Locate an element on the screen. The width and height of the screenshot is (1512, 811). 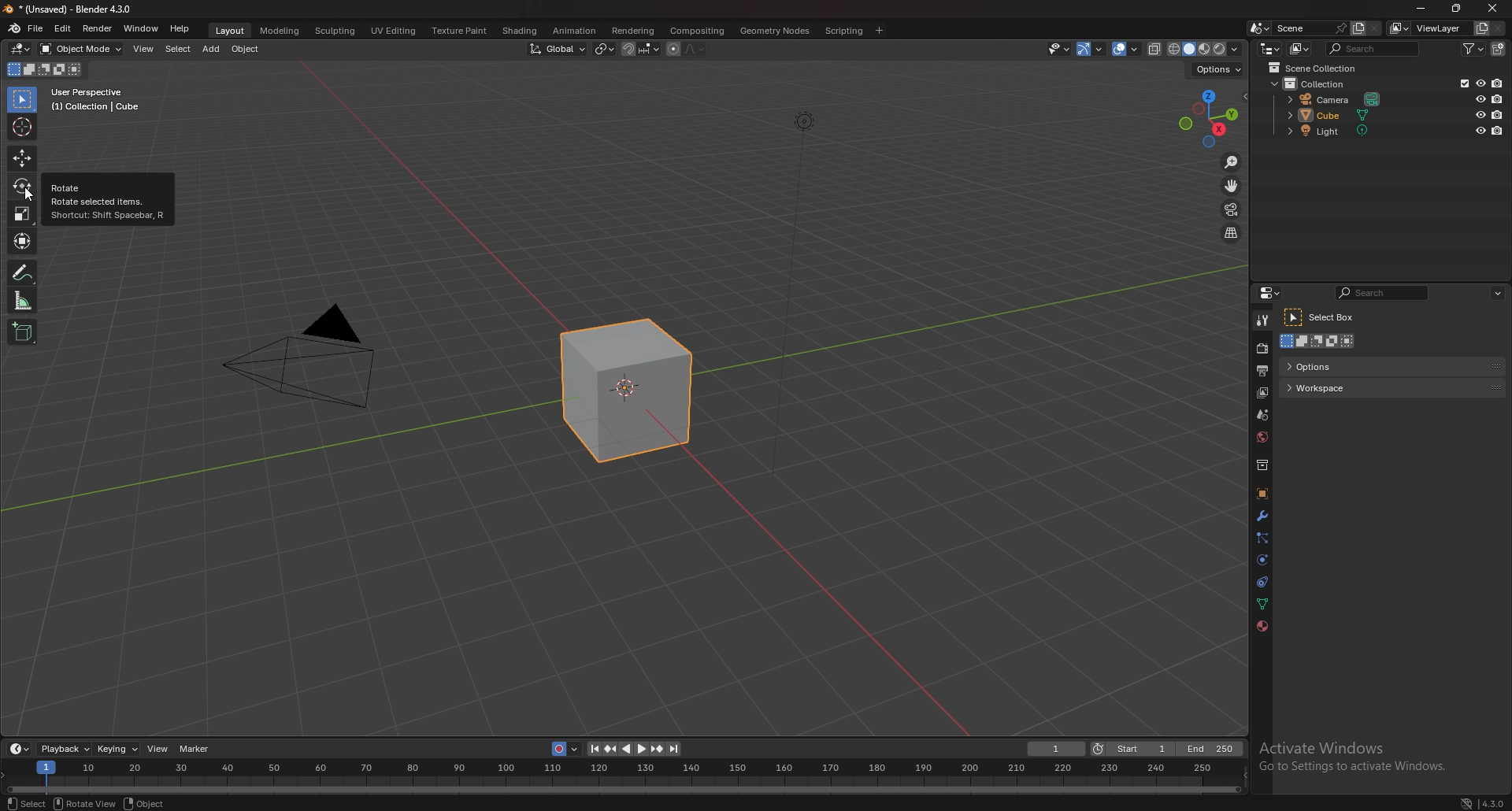
editor type is located at coordinates (21, 49).